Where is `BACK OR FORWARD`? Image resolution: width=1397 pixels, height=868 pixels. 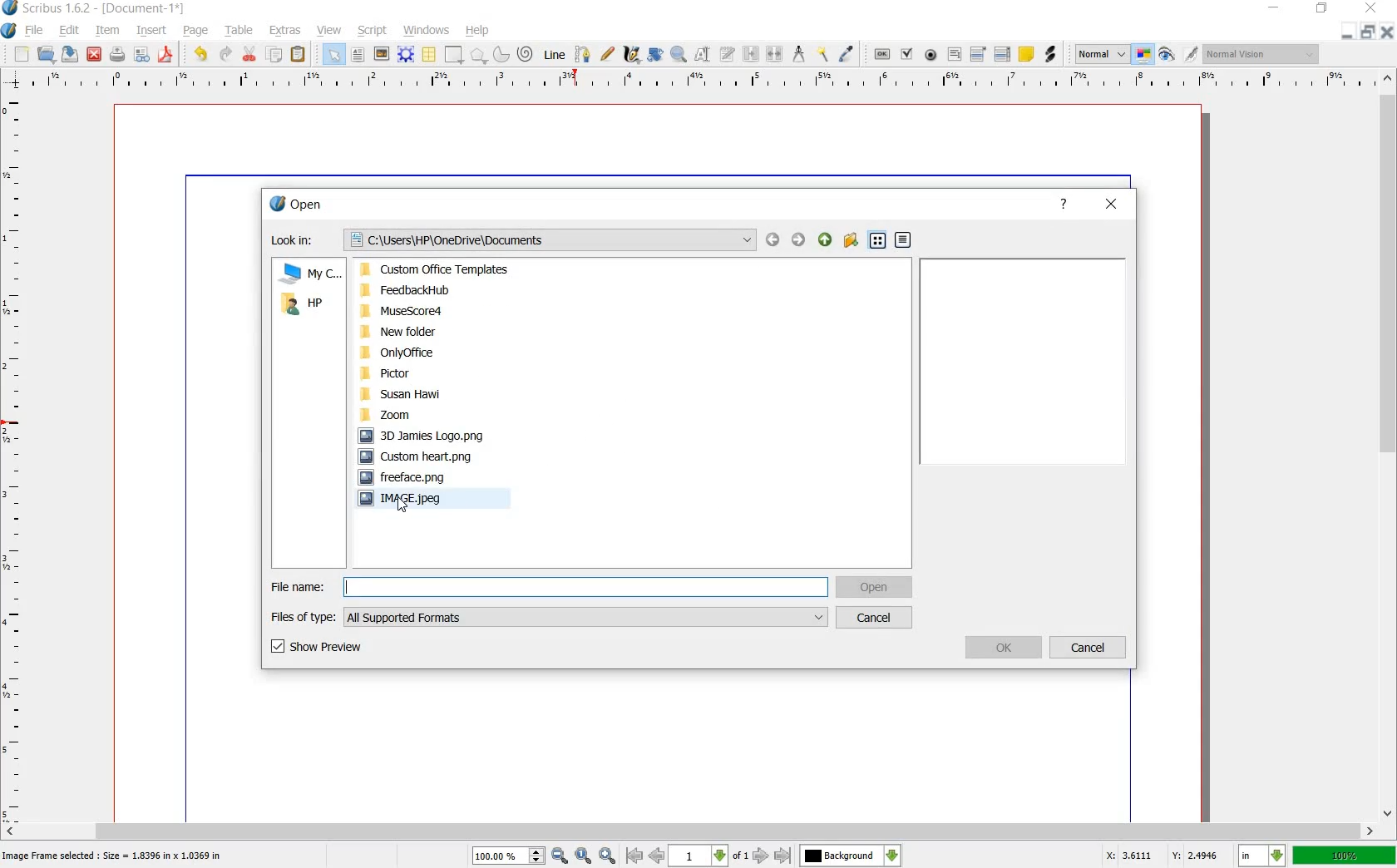 BACK OR FORWARD is located at coordinates (772, 240).